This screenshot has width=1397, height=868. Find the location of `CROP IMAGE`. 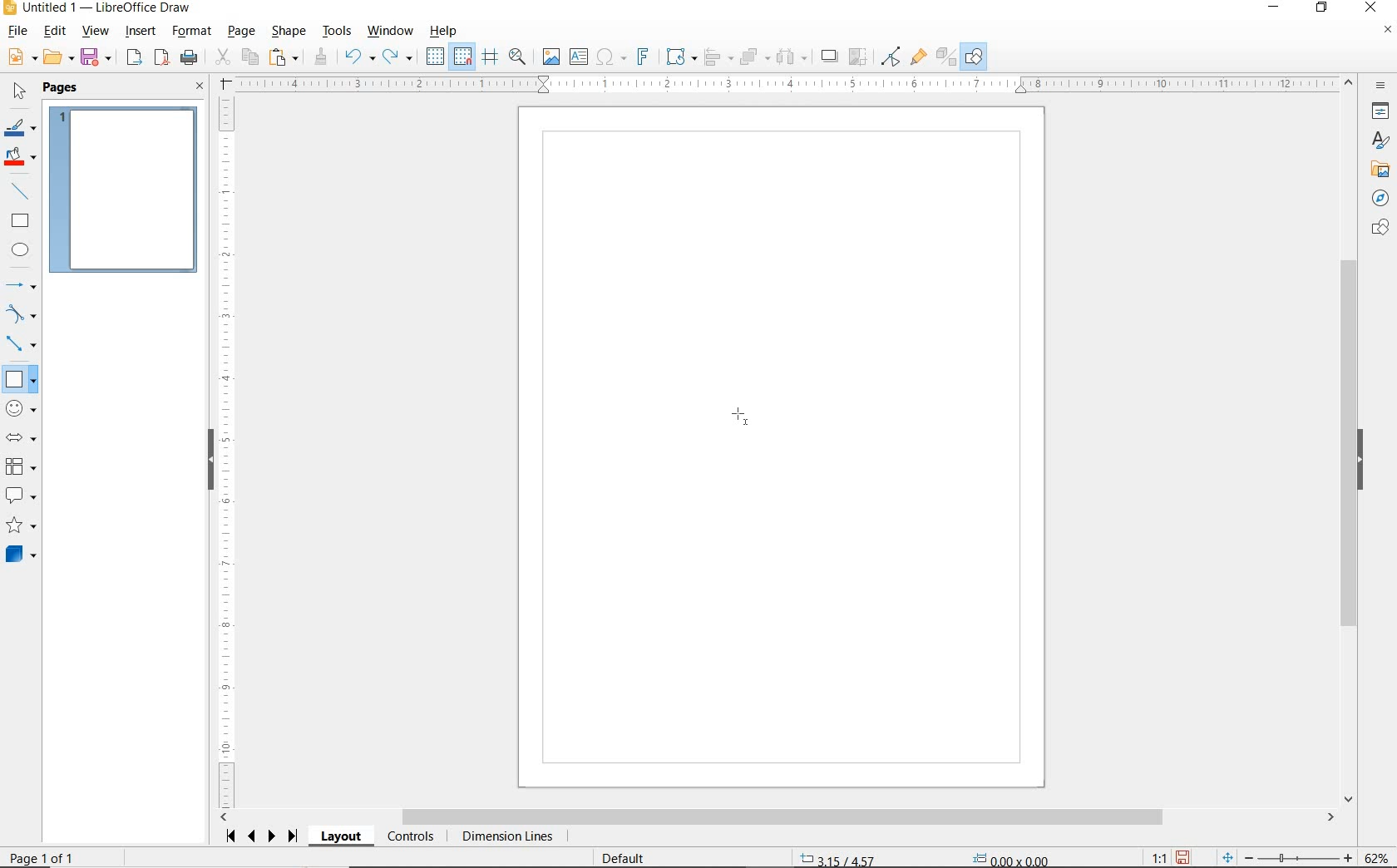

CROP IMAGE is located at coordinates (859, 57).